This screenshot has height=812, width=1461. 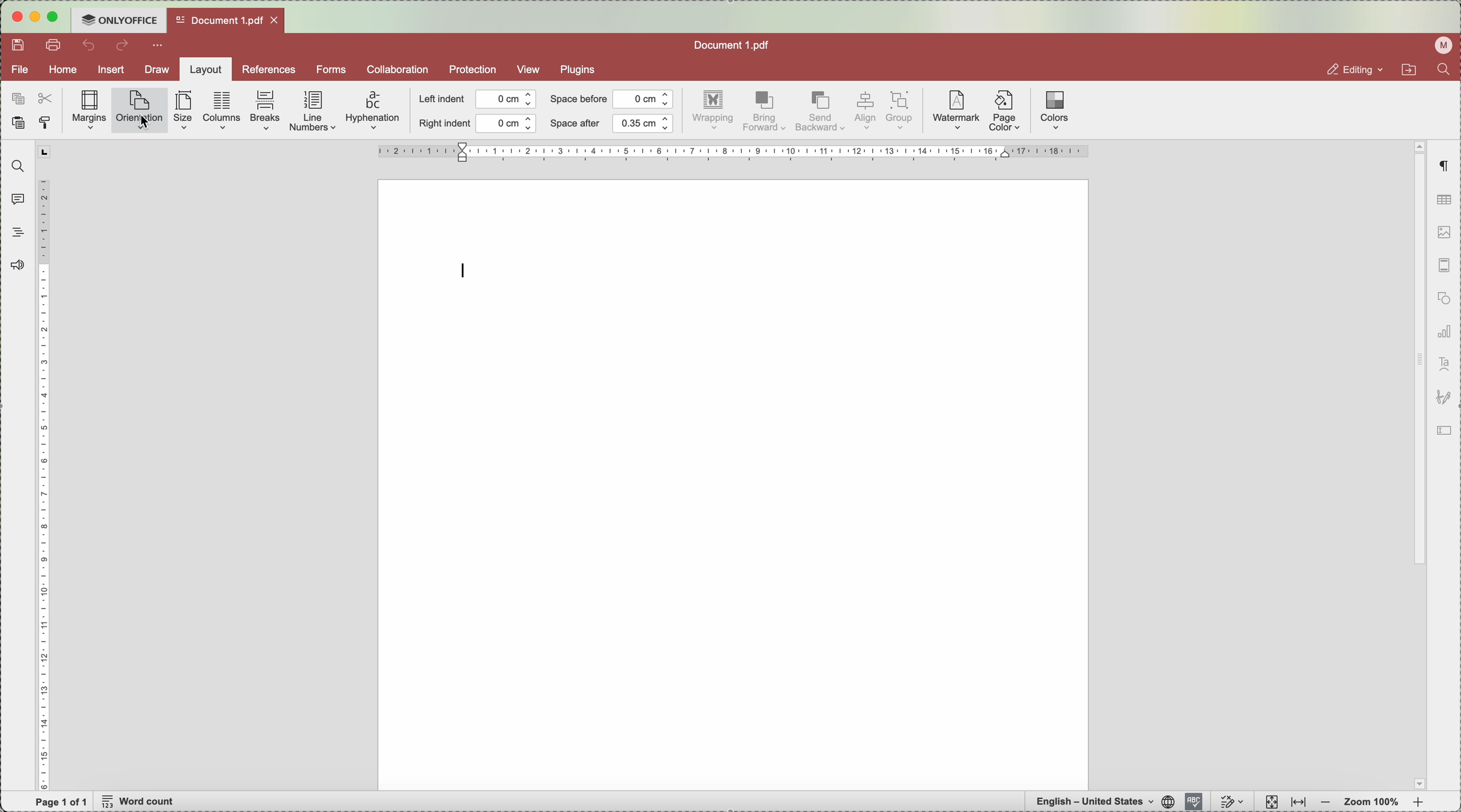 I want to click on feedback and support, so click(x=19, y=264).